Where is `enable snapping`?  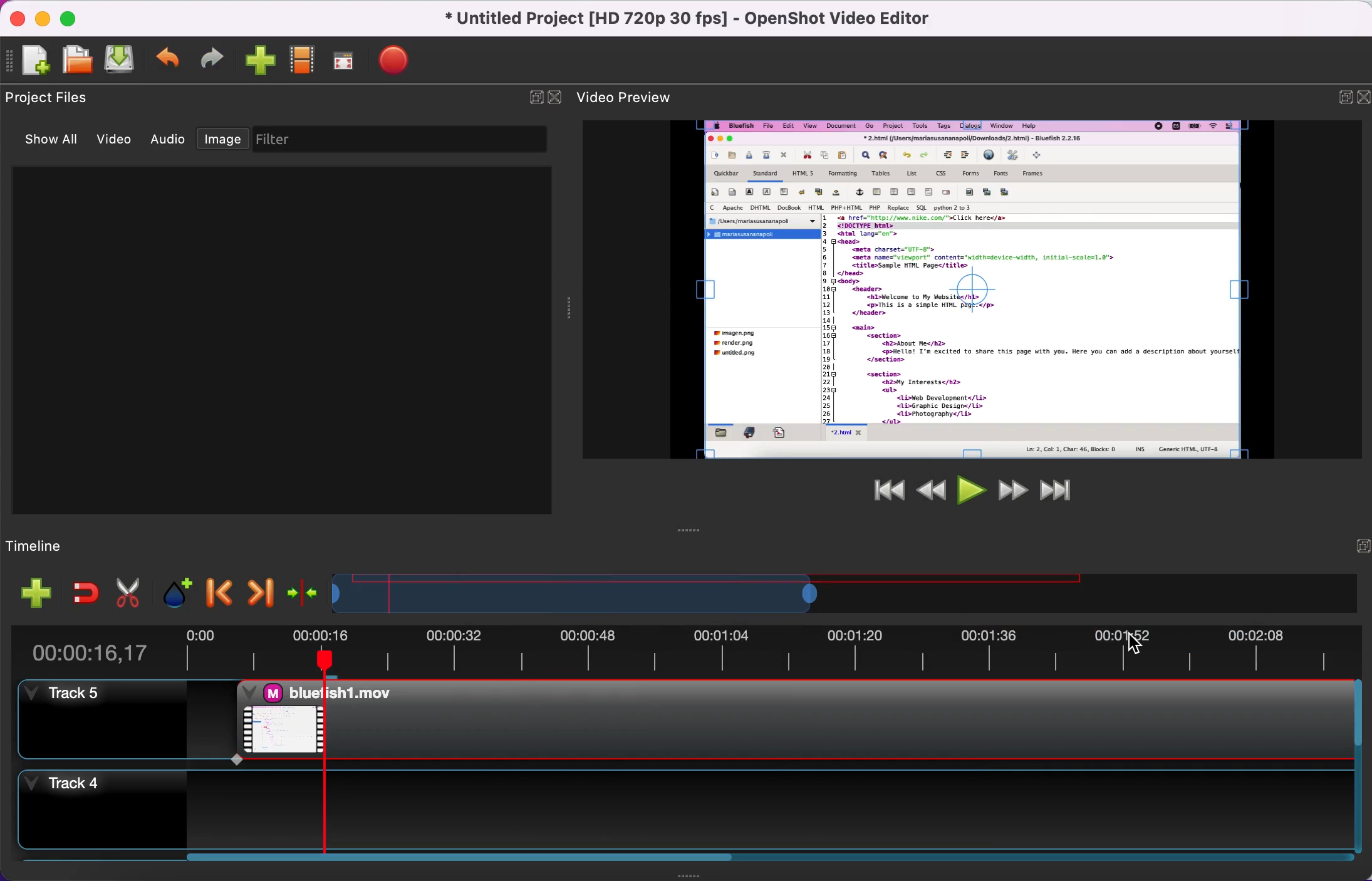 enable snapping is located at coordinates (80, 592).